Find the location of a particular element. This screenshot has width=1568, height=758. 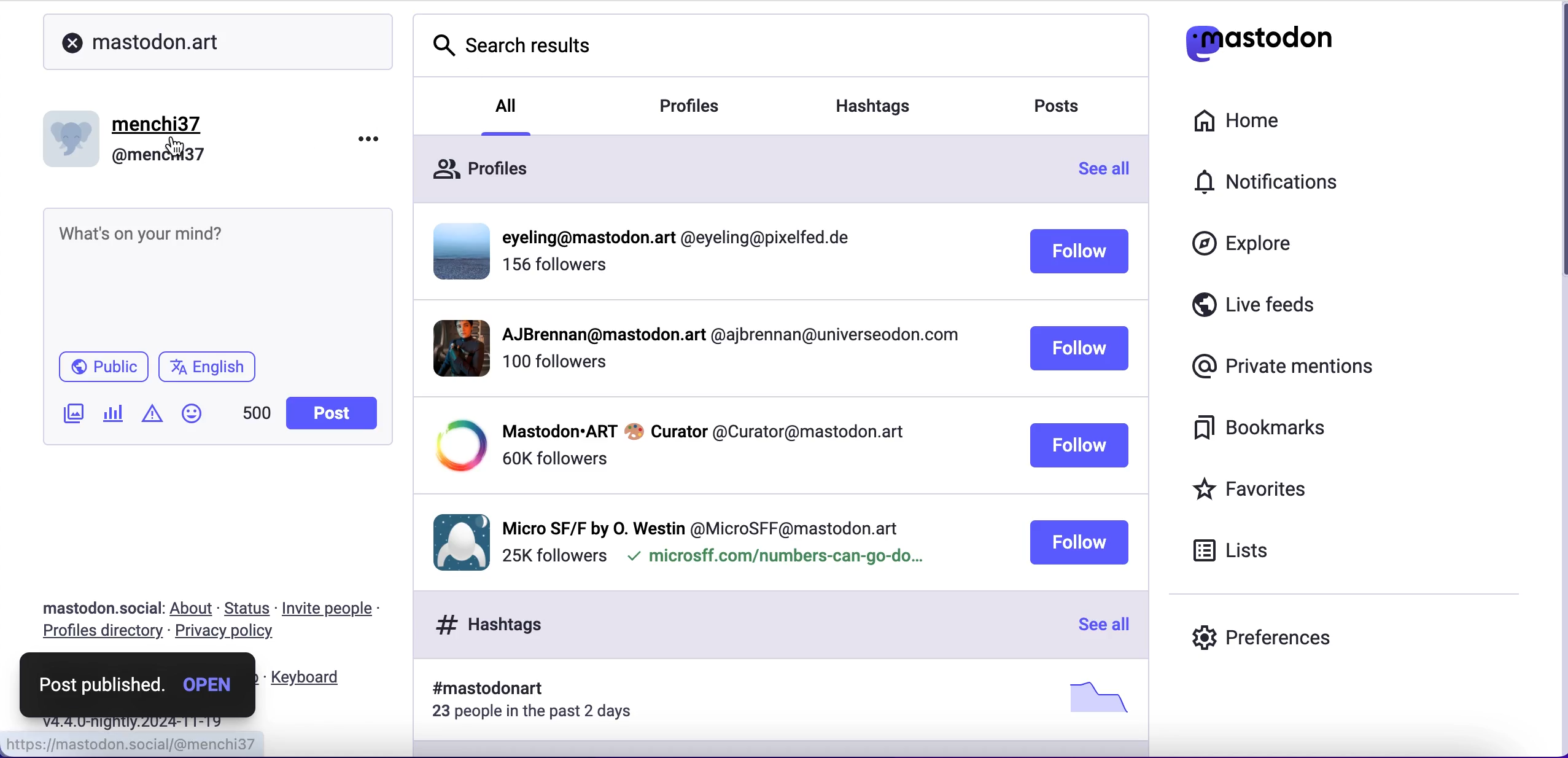

open is located at coordinates (209, 683).